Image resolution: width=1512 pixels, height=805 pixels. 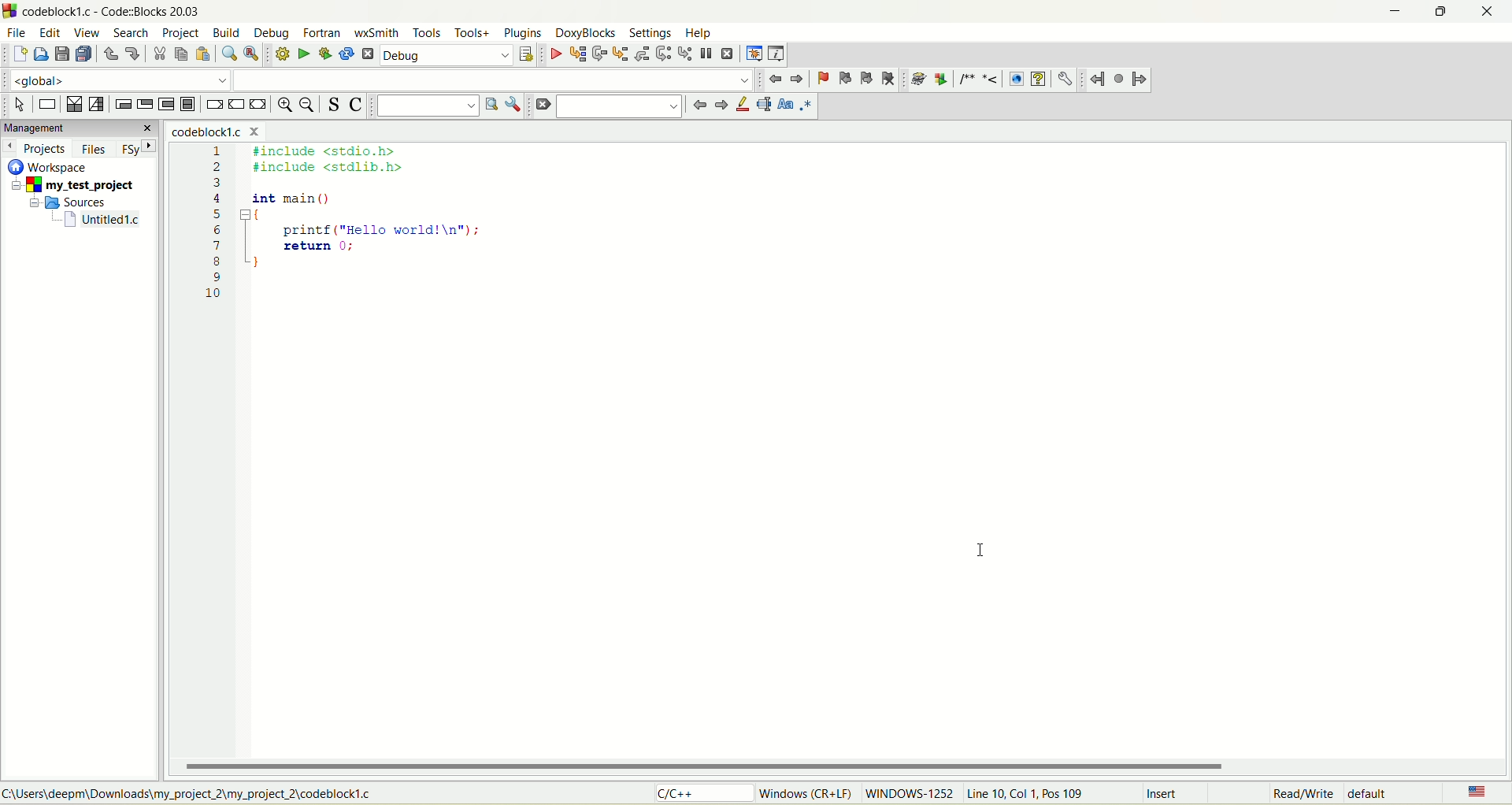 I want to click on select target dialog, so click(x=525, y=56).